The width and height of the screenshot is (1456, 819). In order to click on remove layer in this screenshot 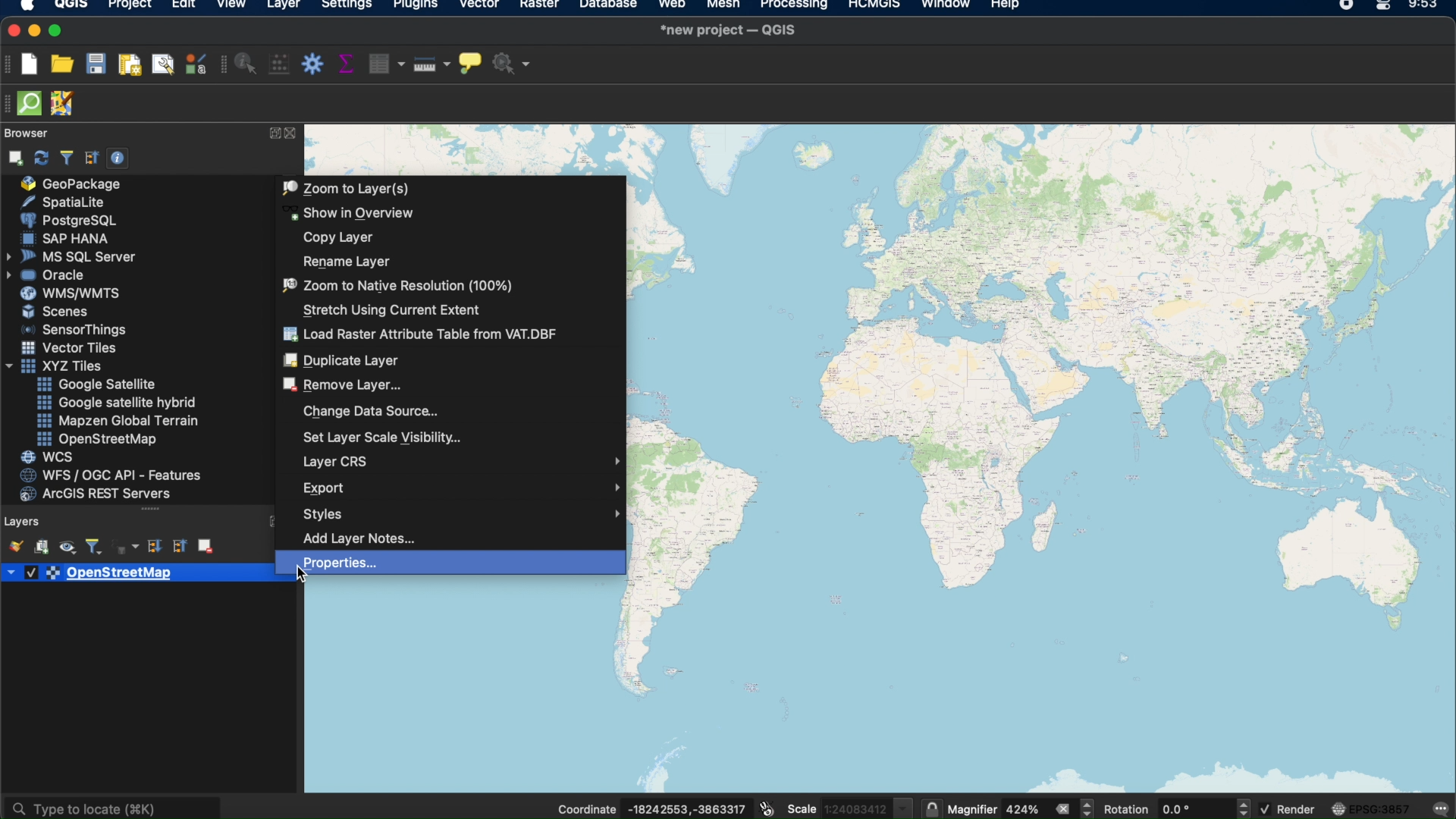, I will do `click(343, 384)`.